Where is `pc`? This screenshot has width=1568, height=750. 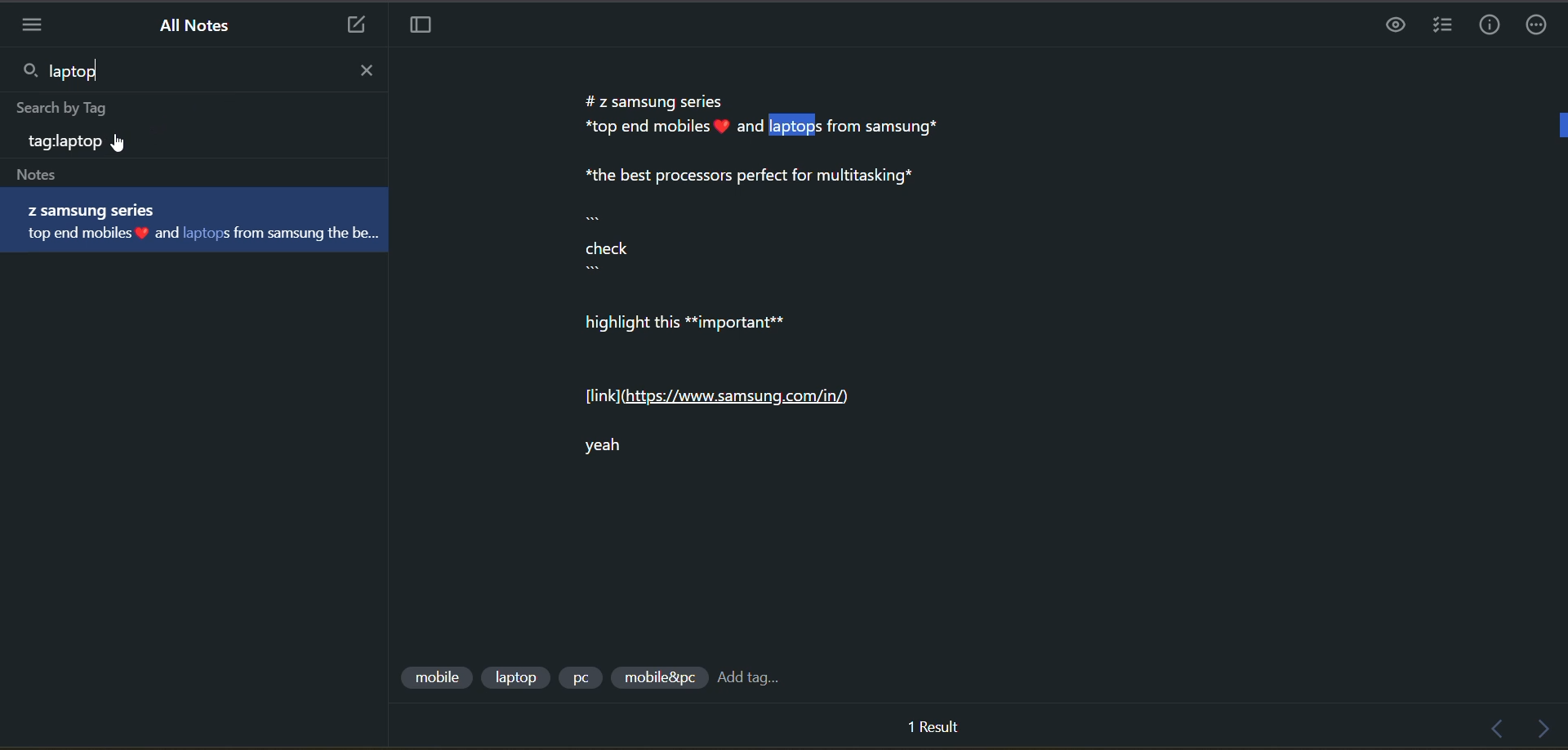
pc is located at coordinates (579, 677).